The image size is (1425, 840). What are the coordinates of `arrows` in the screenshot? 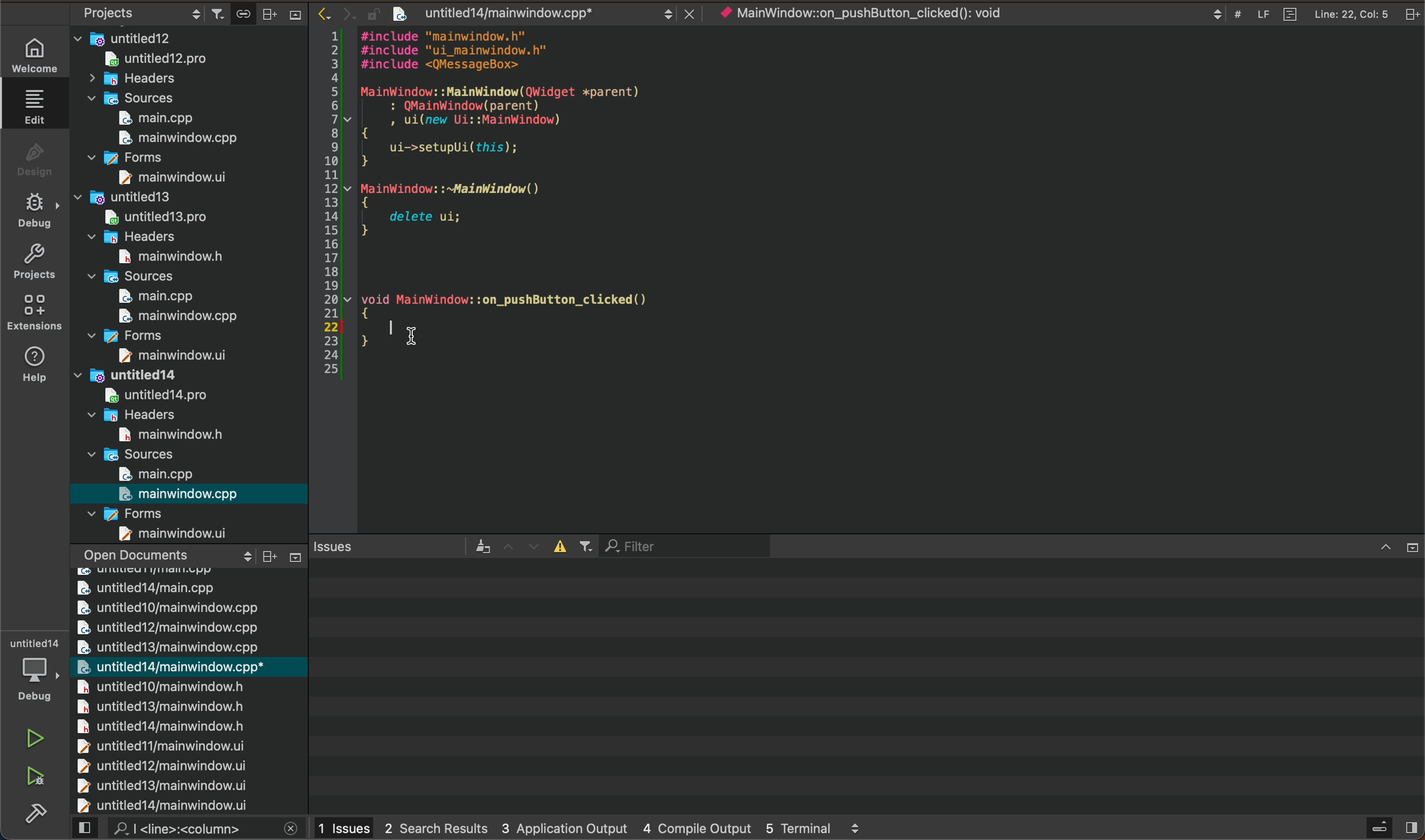 It's located at (523, 546).